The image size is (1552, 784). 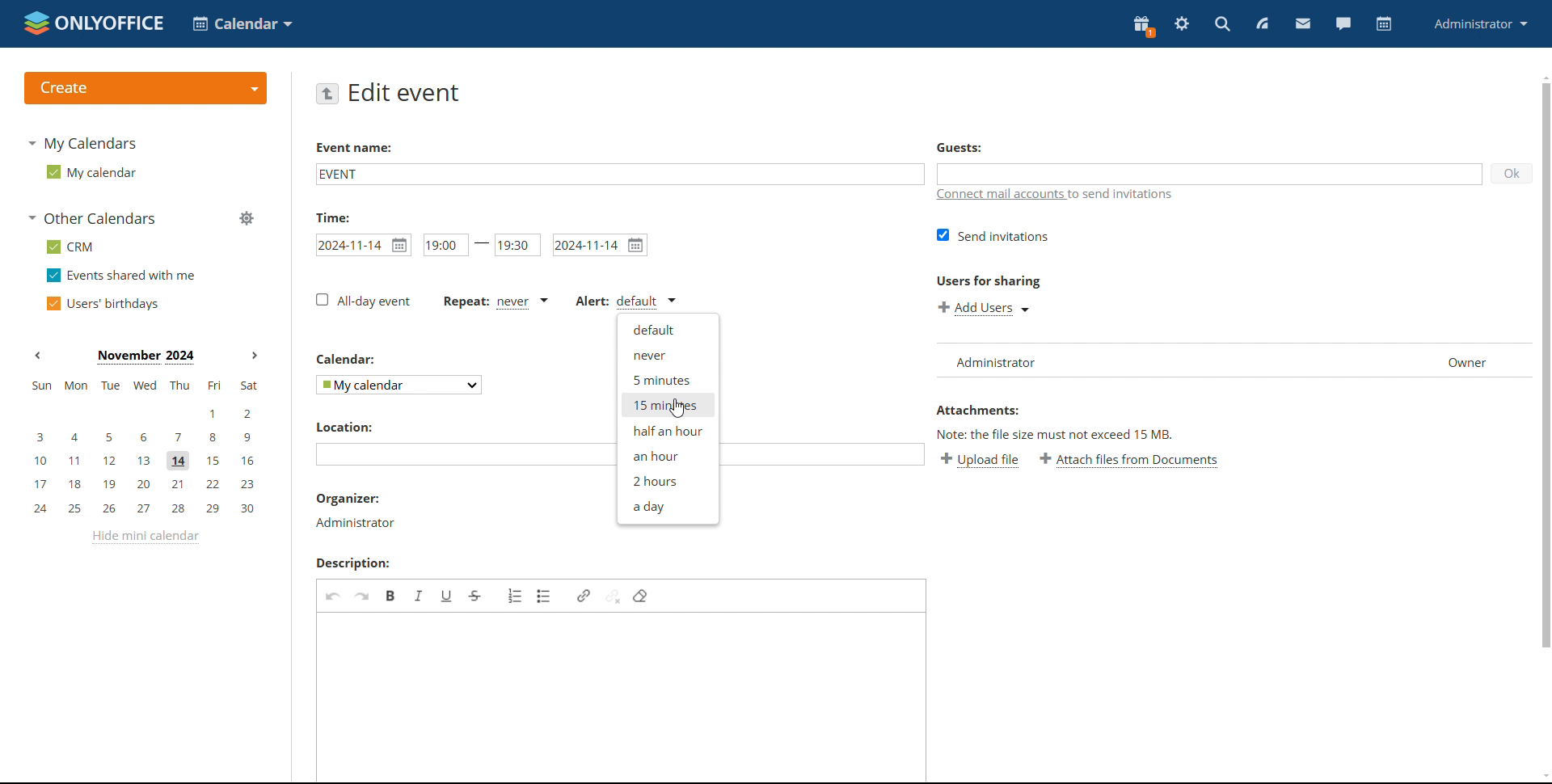 What do you see at coordinates (666, 508) in the screenshot?
I see `a day` at bounding box center [666, 508].